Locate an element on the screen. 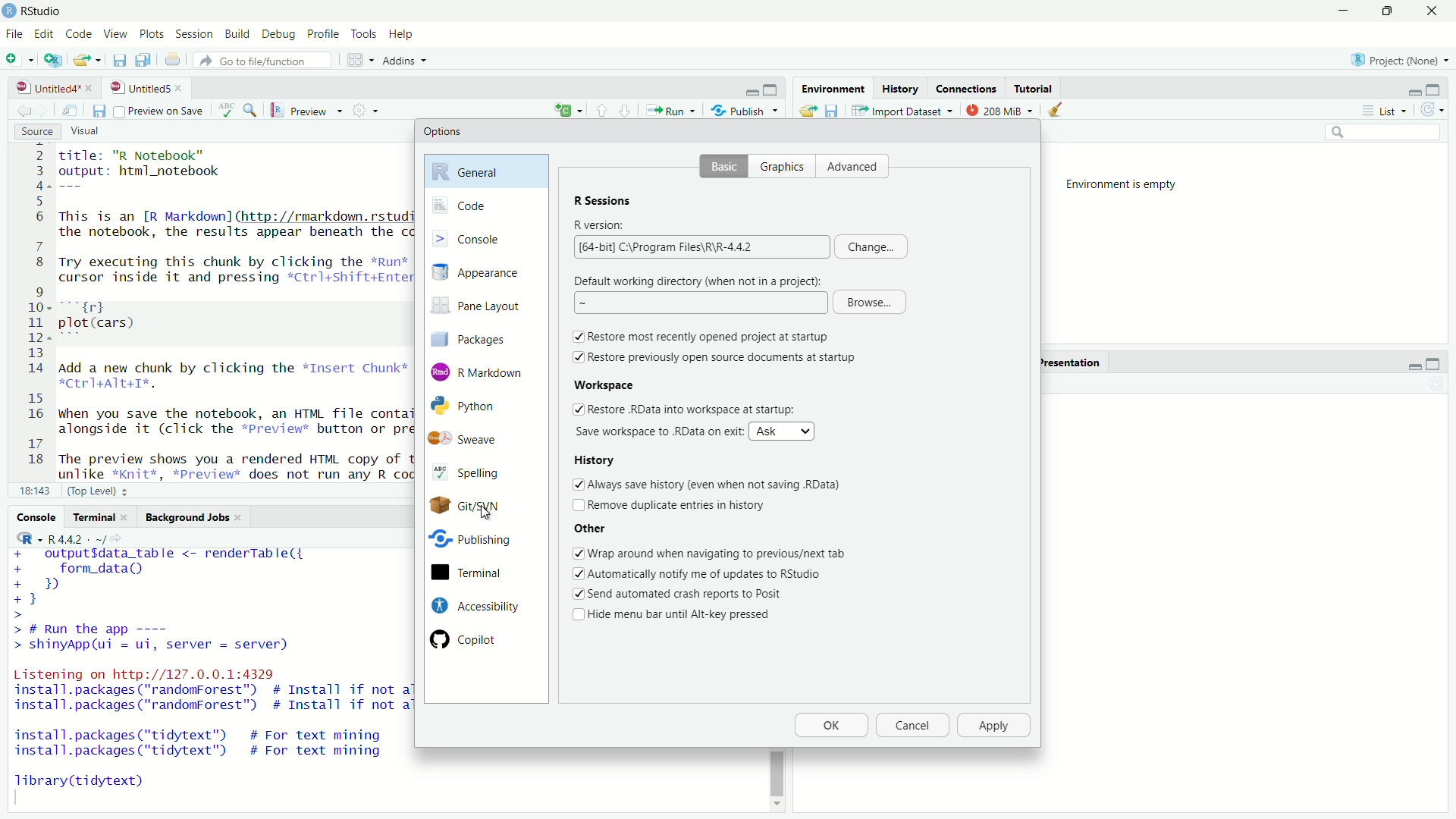  Apply is located at coordinates (995, 726).